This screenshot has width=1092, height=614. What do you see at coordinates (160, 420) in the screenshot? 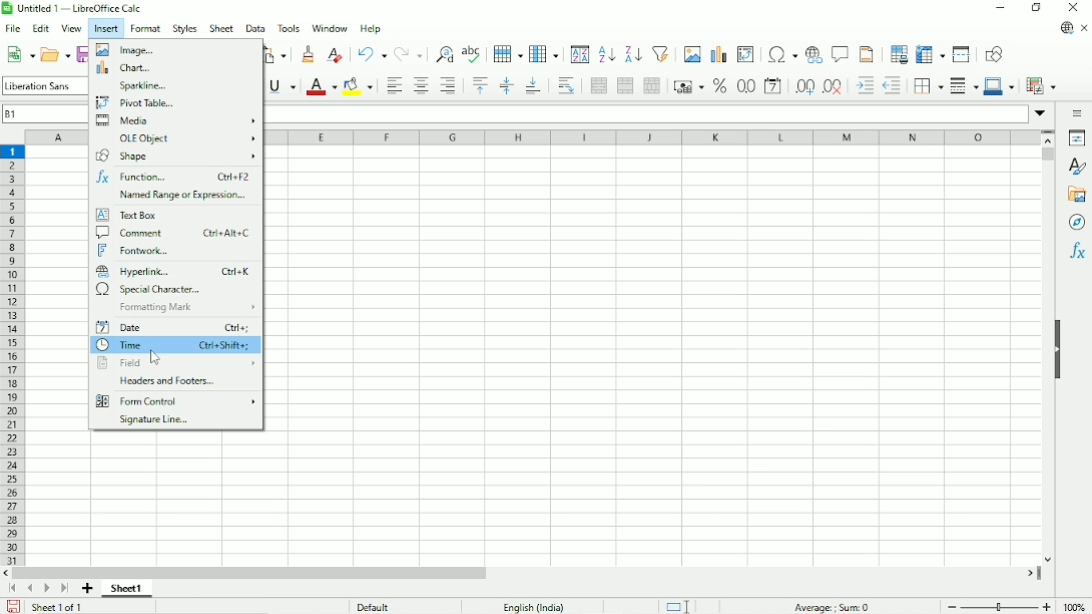
I see `Signature line` at bounding box center [160, 420].